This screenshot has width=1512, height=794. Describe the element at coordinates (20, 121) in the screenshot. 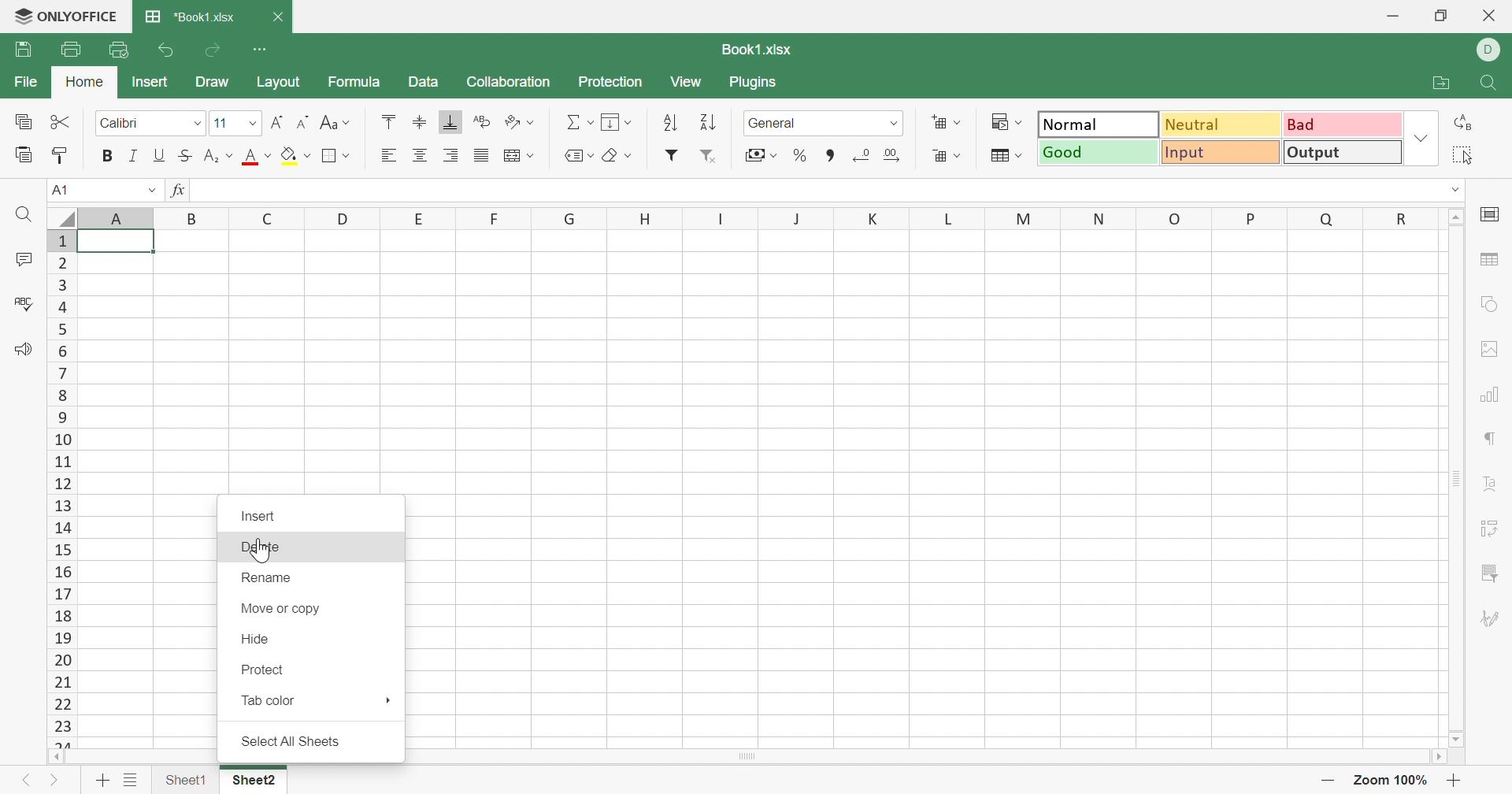

I see `Copy` at that location.